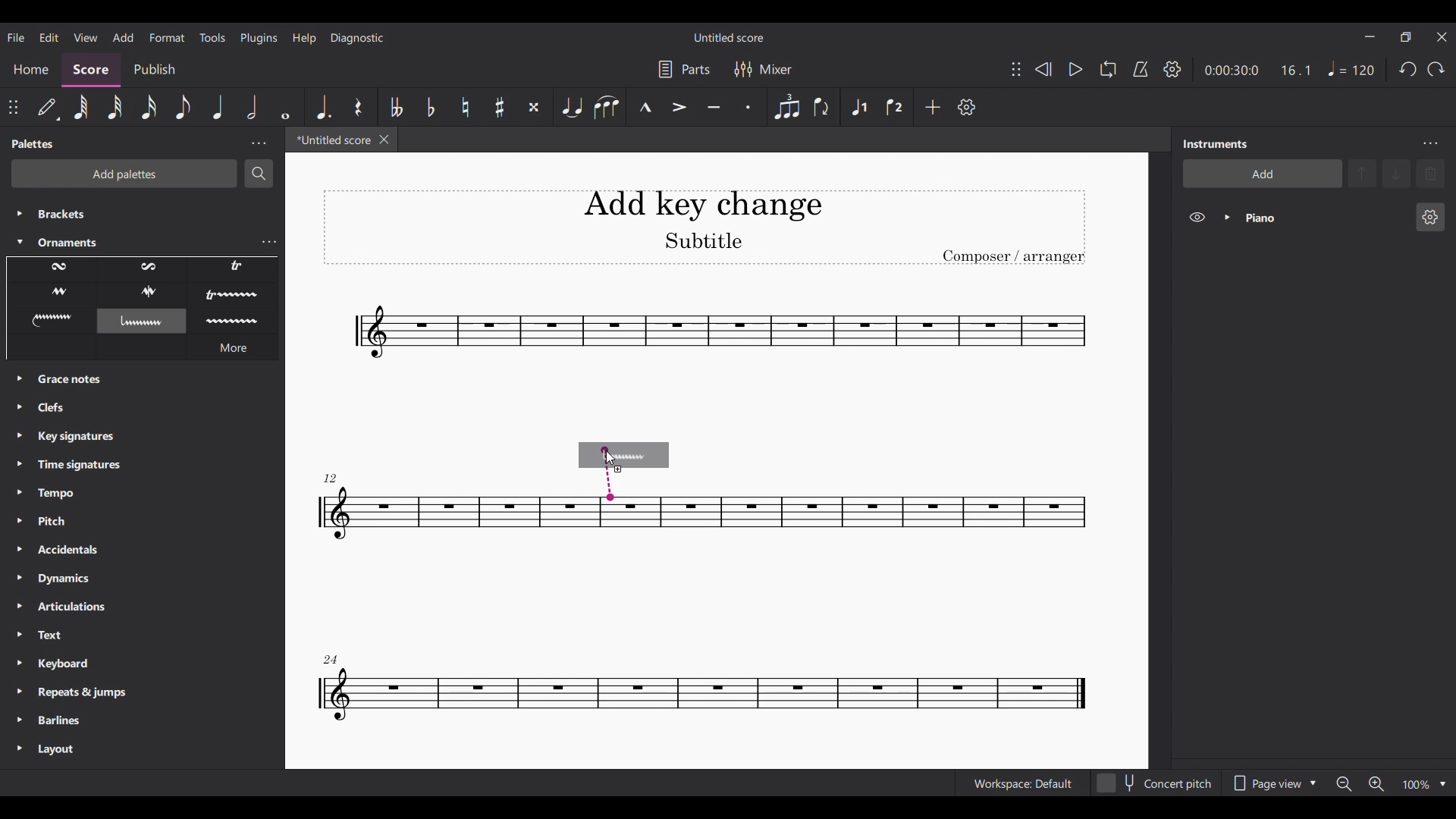 Image resolution: width=1456 pixels, height=819 pixels. I want to click on Search palette, so click(258, 174).